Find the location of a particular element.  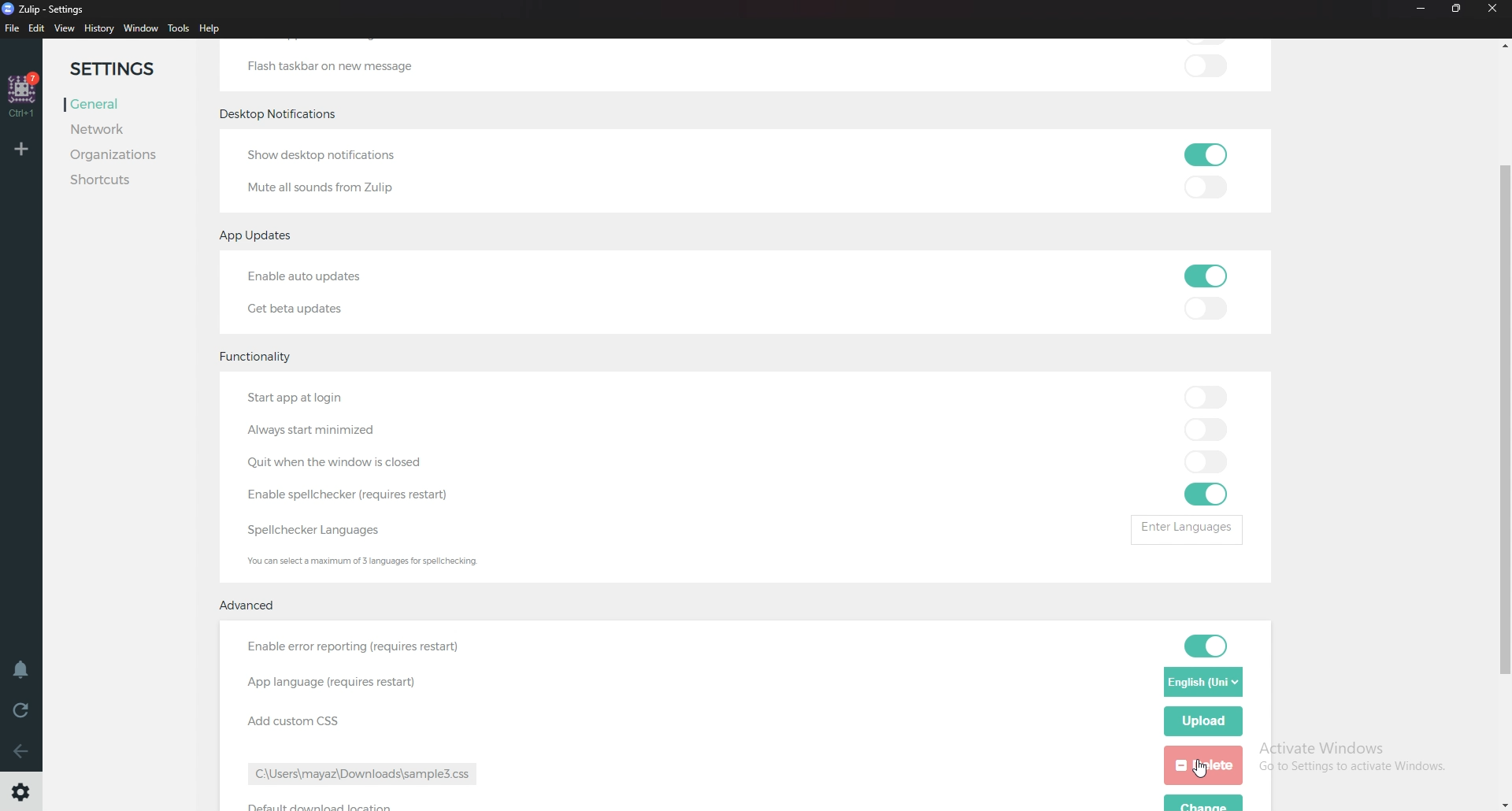

quit when Windows is closed is located at coordinates (350, 462).